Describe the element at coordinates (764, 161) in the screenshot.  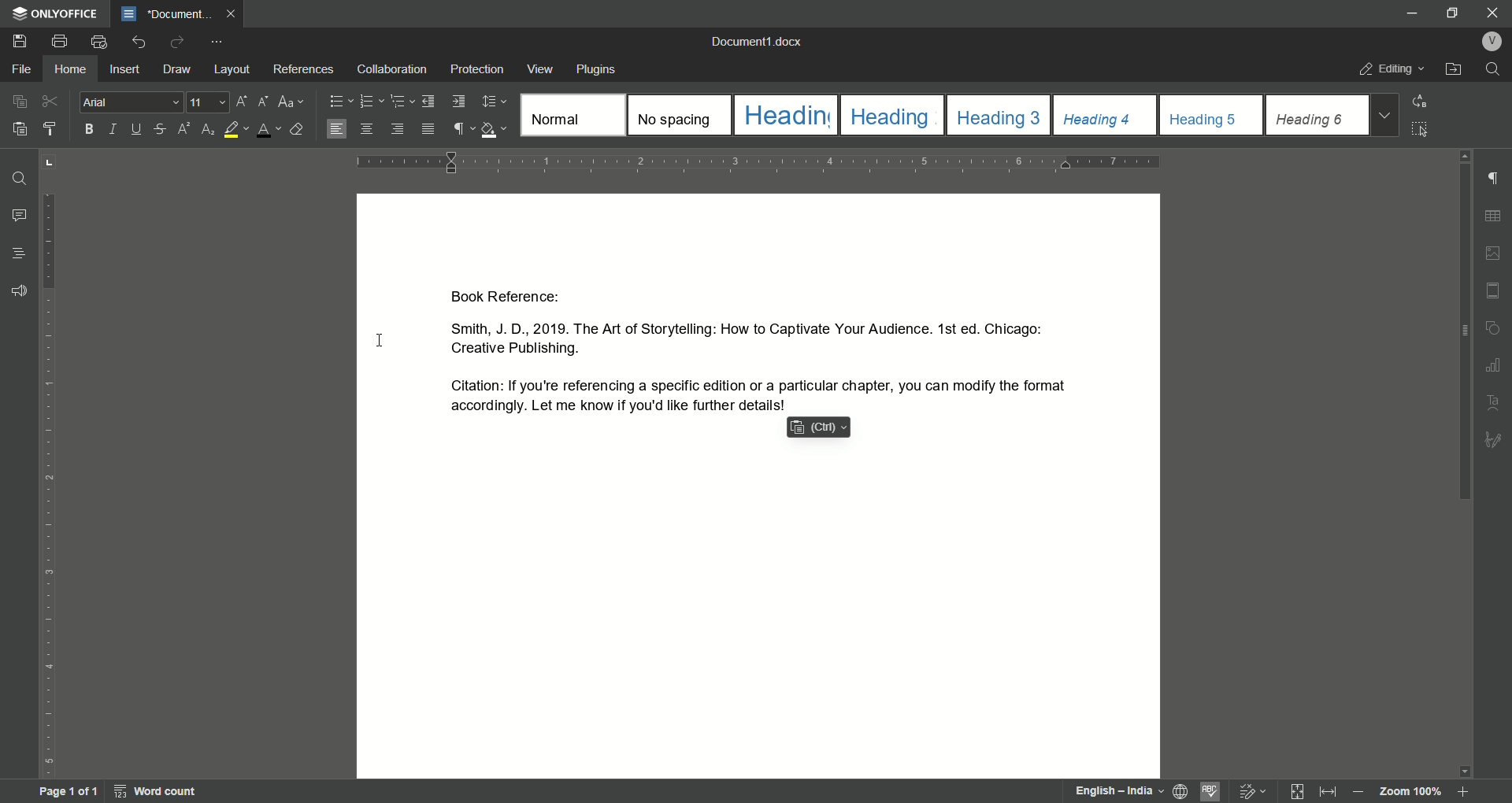
I see `paragraph orientation` at that location.